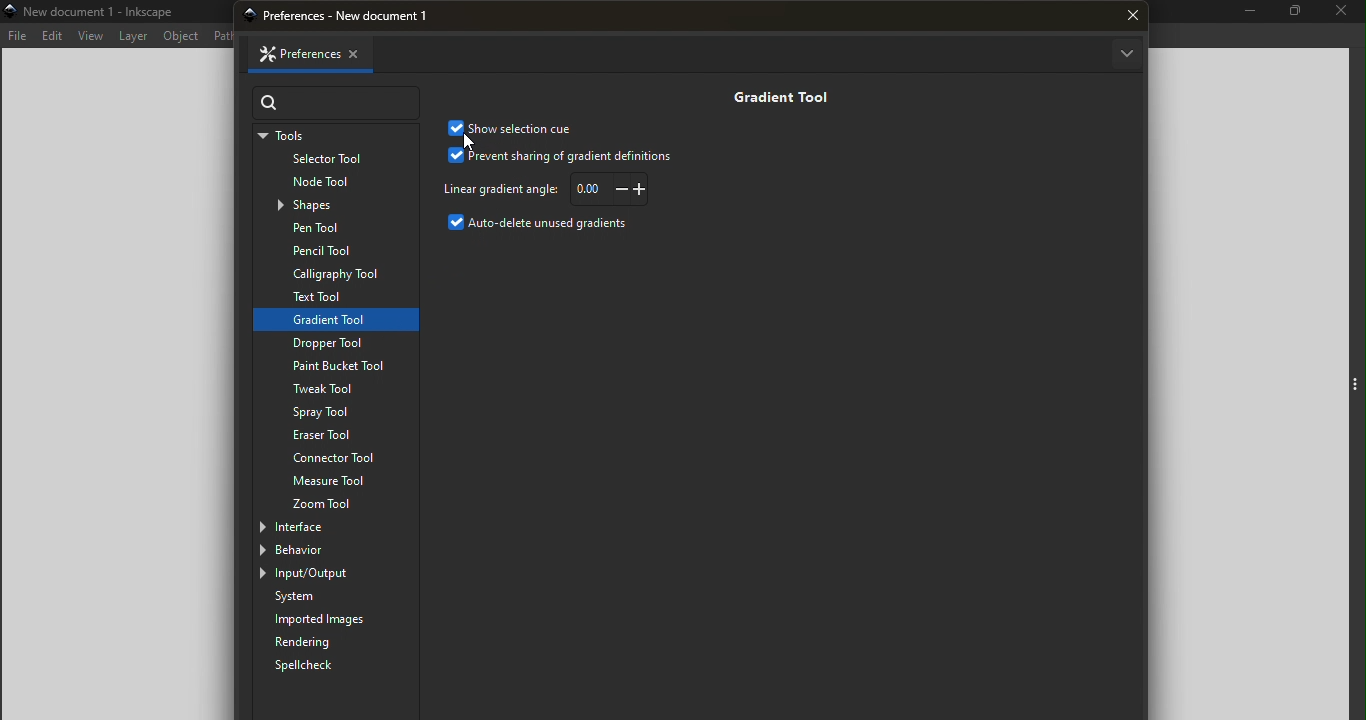 The height and width of the screenshot is (720, 1366). What do you see at coordinates (333, 161) in the screenshot?
I see `Selector tool` at bounding box center [333, 161].